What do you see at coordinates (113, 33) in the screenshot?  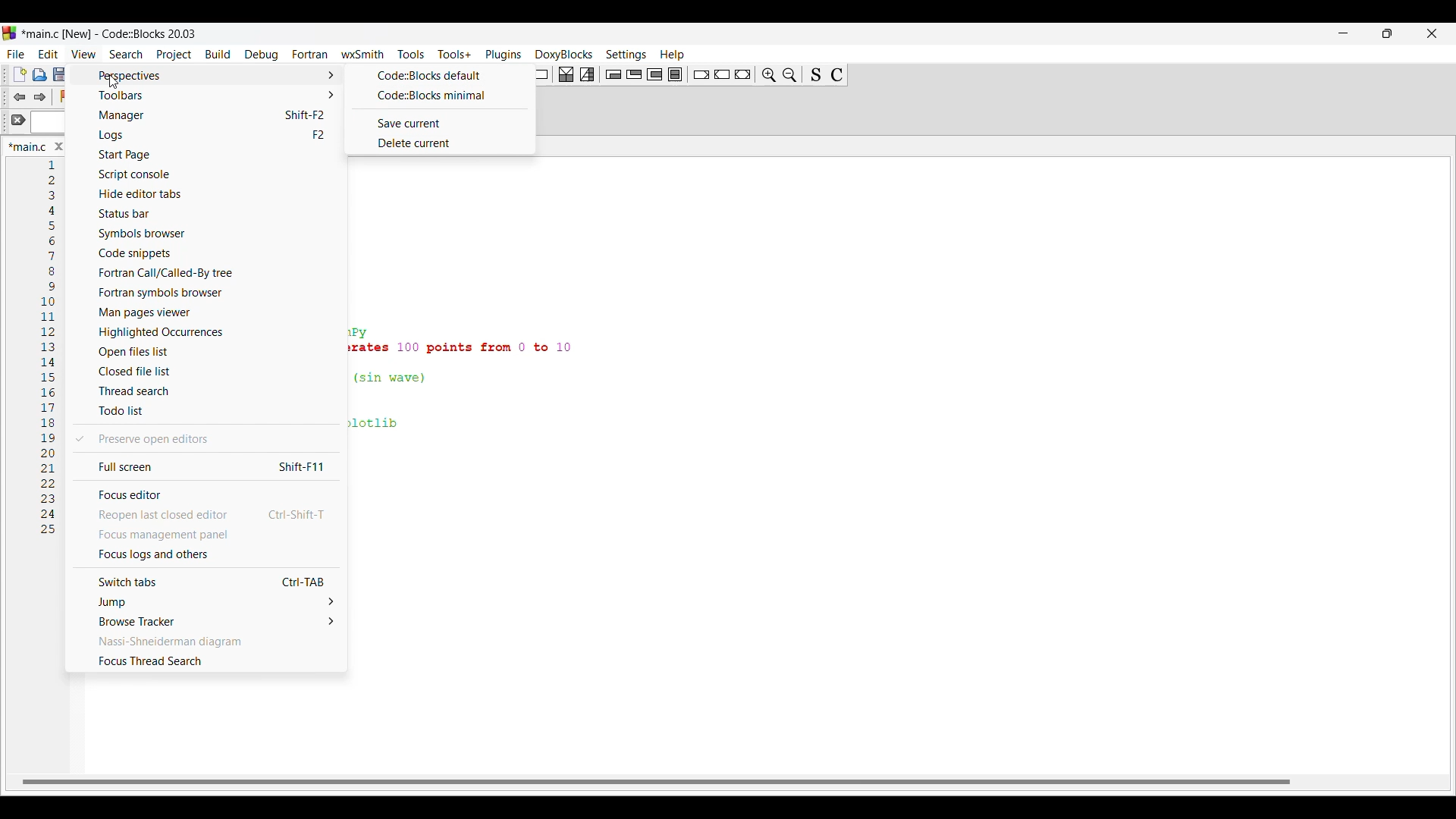 I see `Project name, software name and version` at bounding box center [113, 33].